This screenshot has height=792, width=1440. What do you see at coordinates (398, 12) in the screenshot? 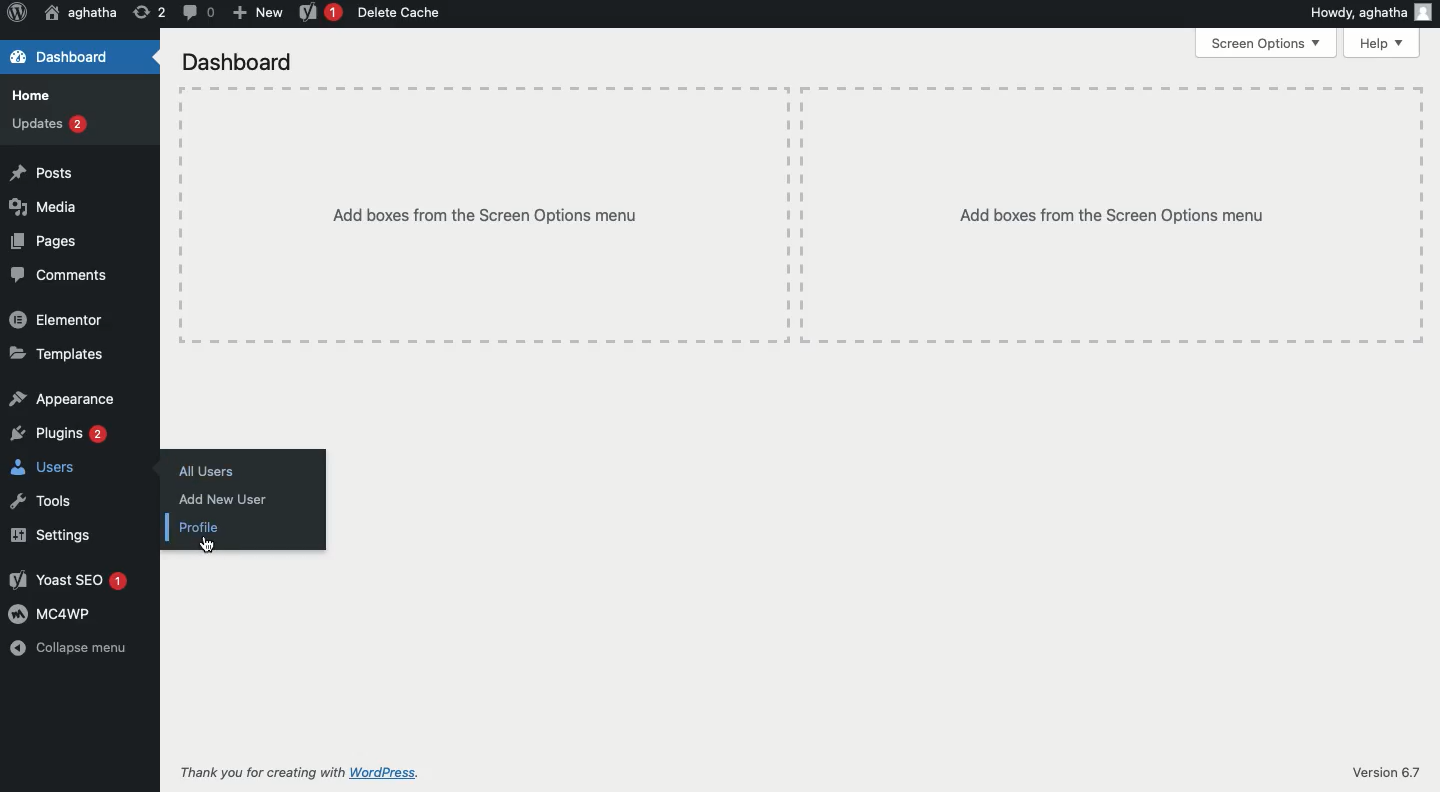
I see `Delete cache` at bounding box center [398, 12].